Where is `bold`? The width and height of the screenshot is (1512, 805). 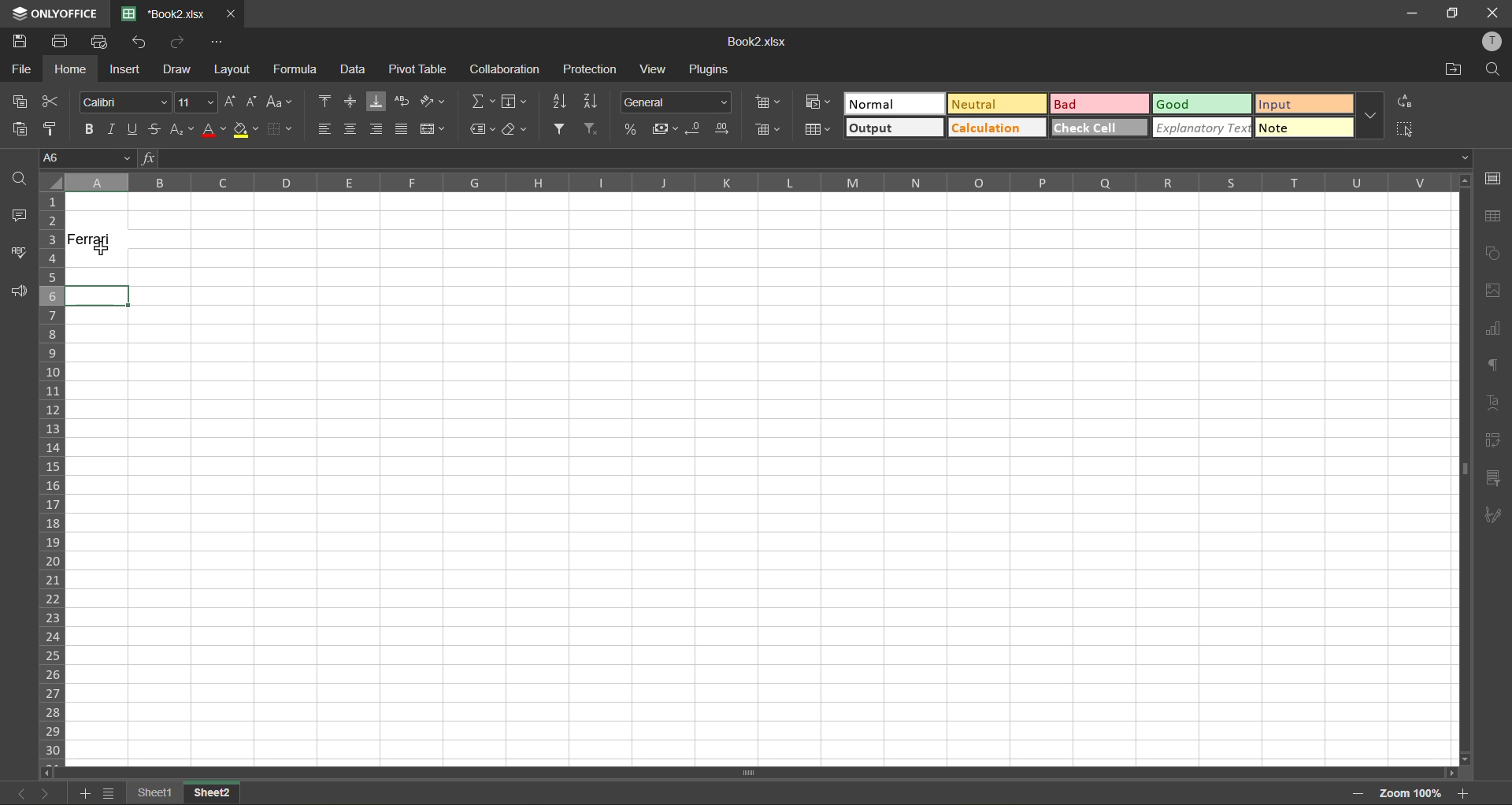 bold is located at coordinates (87, 130).